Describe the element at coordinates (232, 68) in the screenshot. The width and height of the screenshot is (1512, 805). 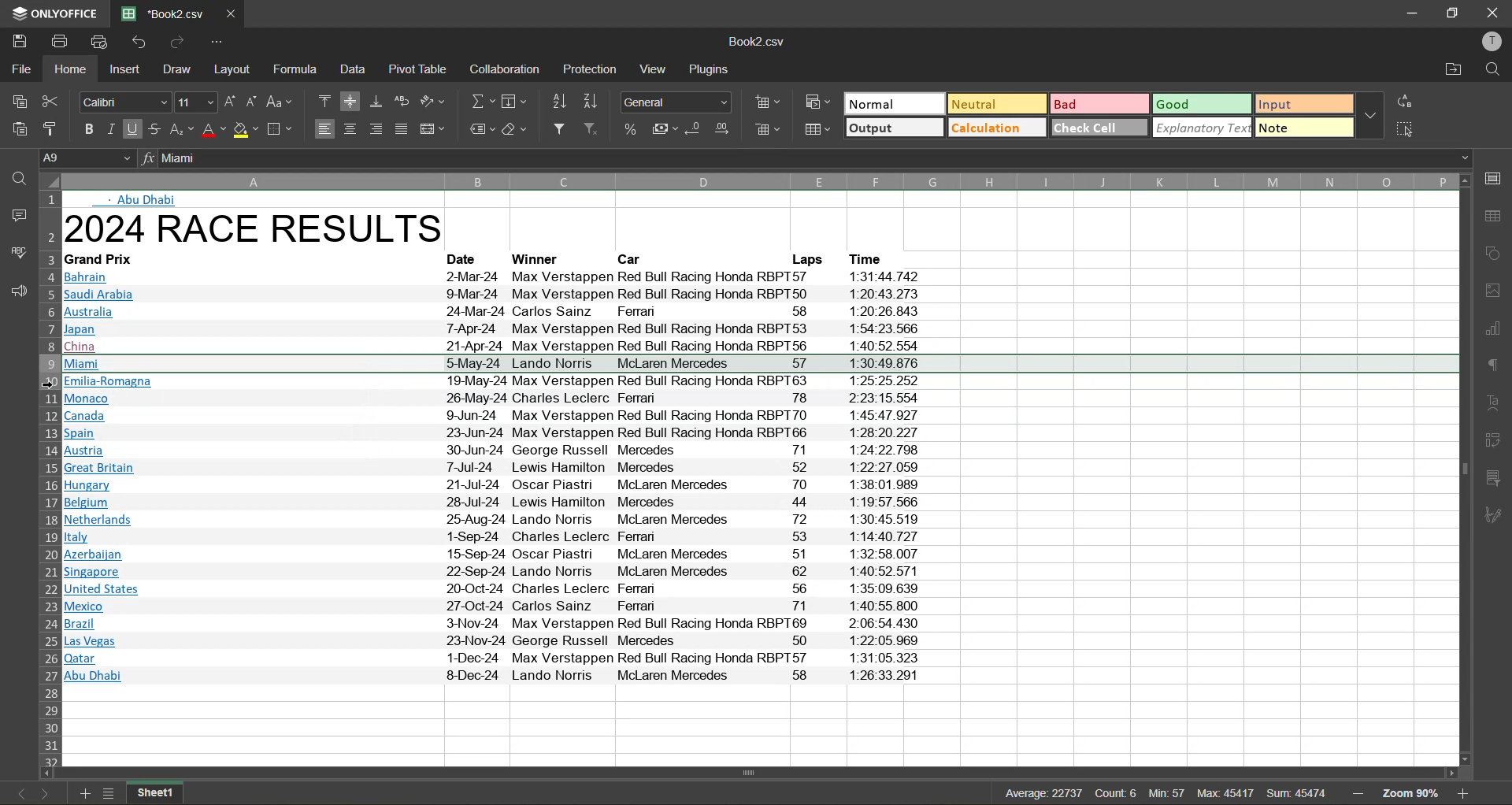
I see `layout` at that location.